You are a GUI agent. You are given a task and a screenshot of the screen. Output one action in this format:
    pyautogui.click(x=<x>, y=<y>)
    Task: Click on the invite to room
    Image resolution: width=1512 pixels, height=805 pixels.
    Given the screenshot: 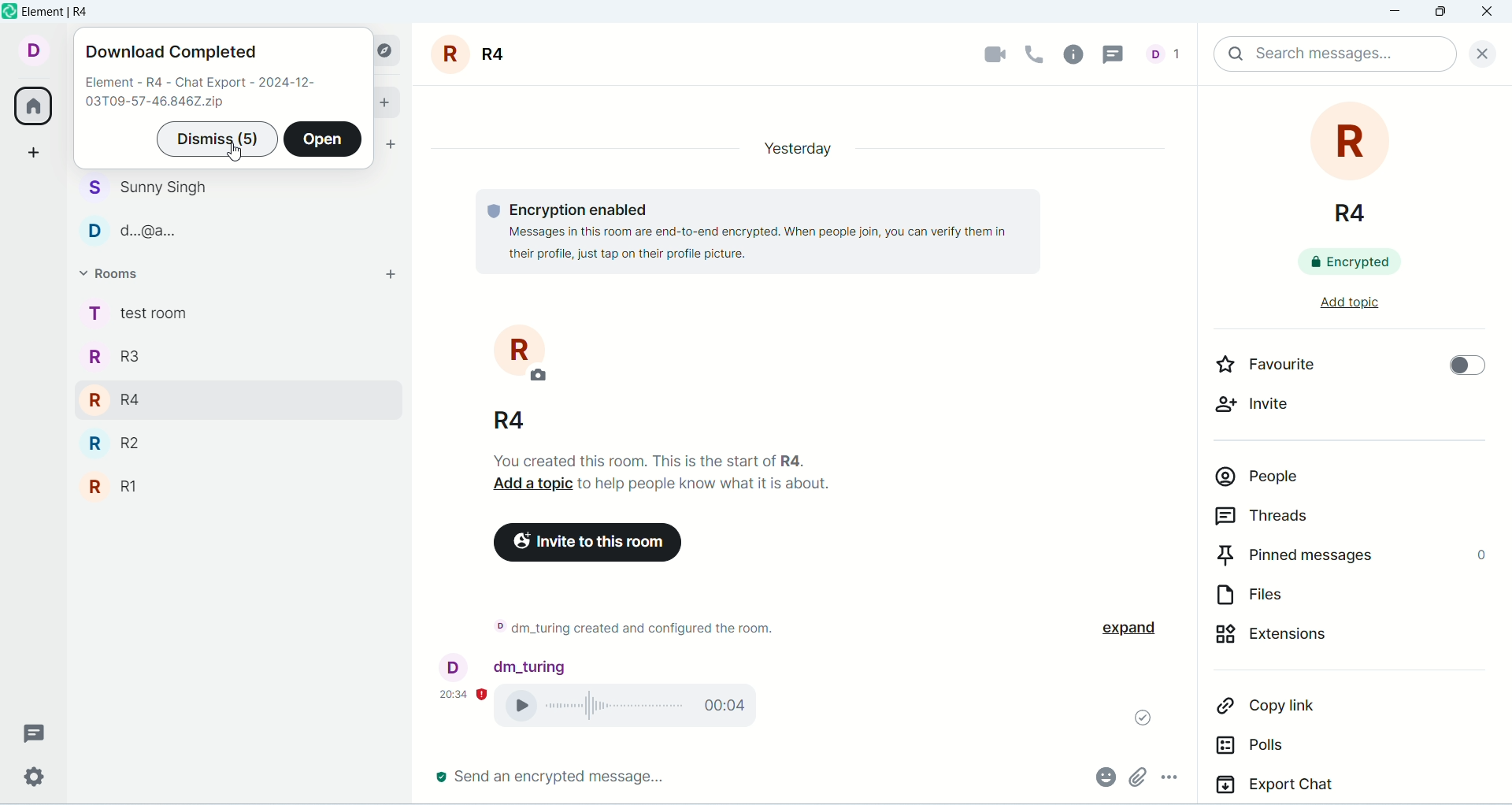 What is the action you would take?
    pyautogui.click(x=589, y=543)
    